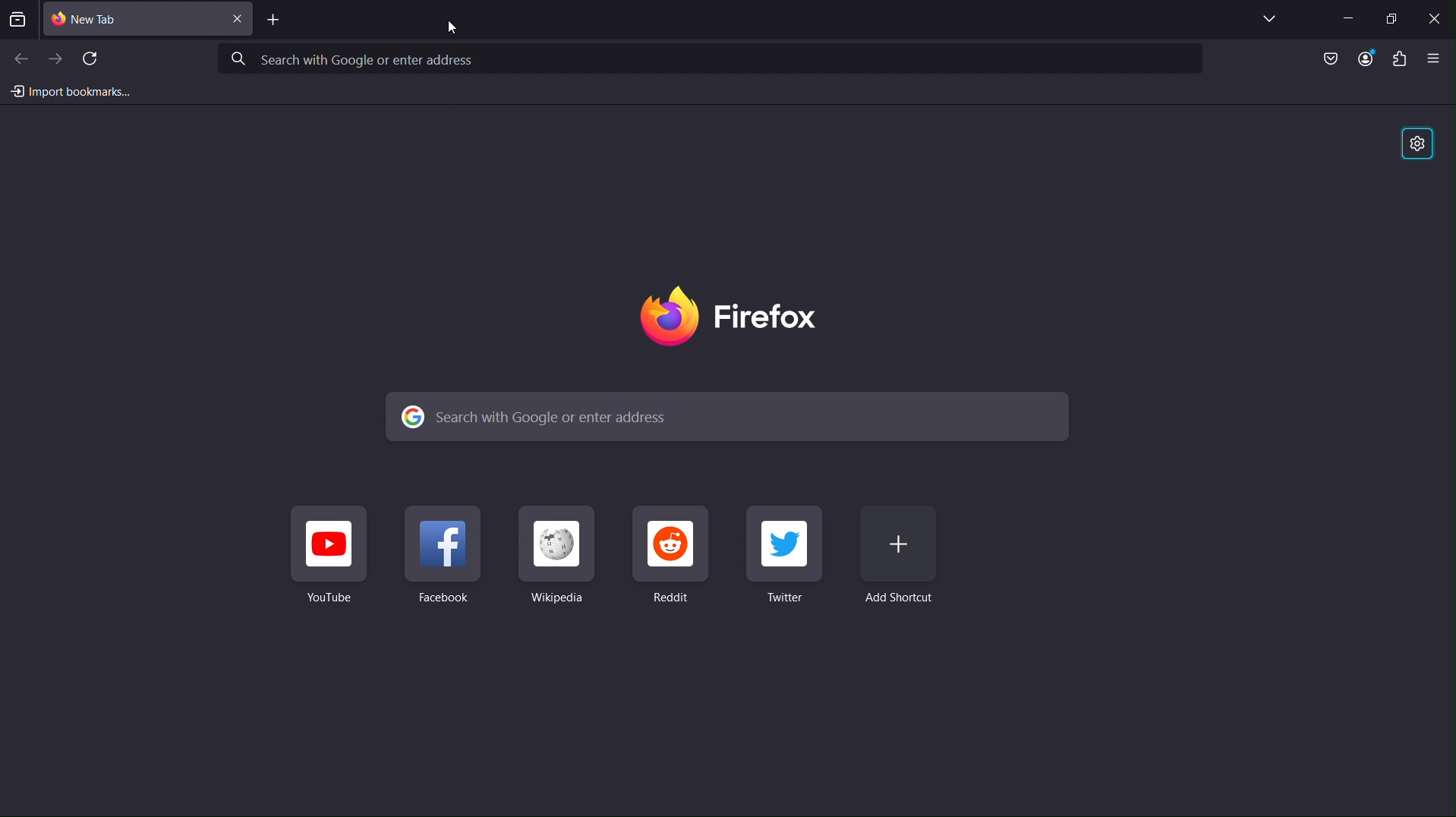 This screenshot has width=1456, height=817. What do you see at coordinates (1320, 59) in the screenshot?
I see `Pocket` at bounding box center [1320, 59].